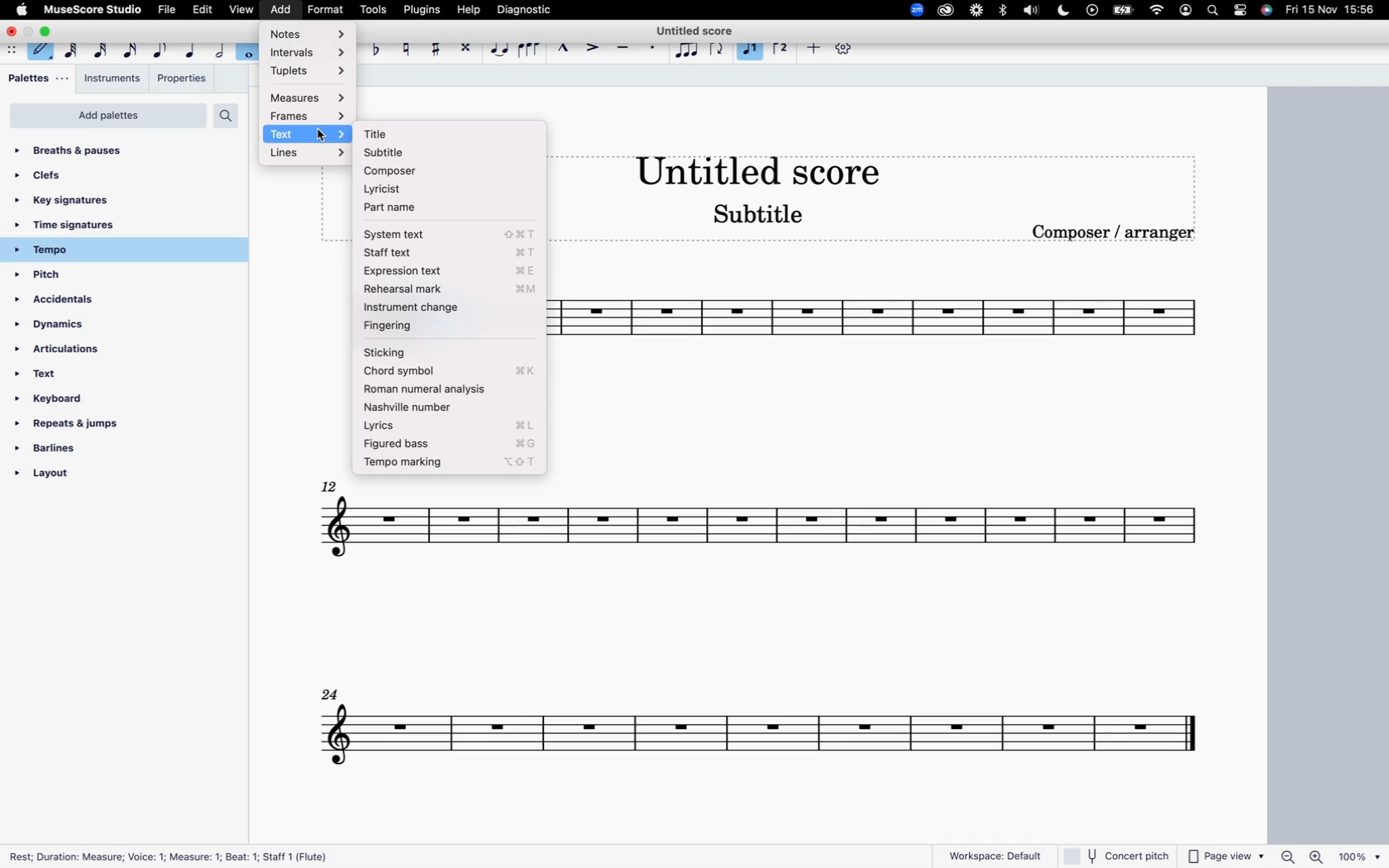 The height and width of the screenshot is (868, 1389). What do you see at coordinates (686, 51) in the screenshot?
I see `tuplet` at bounding box center [686, 51].